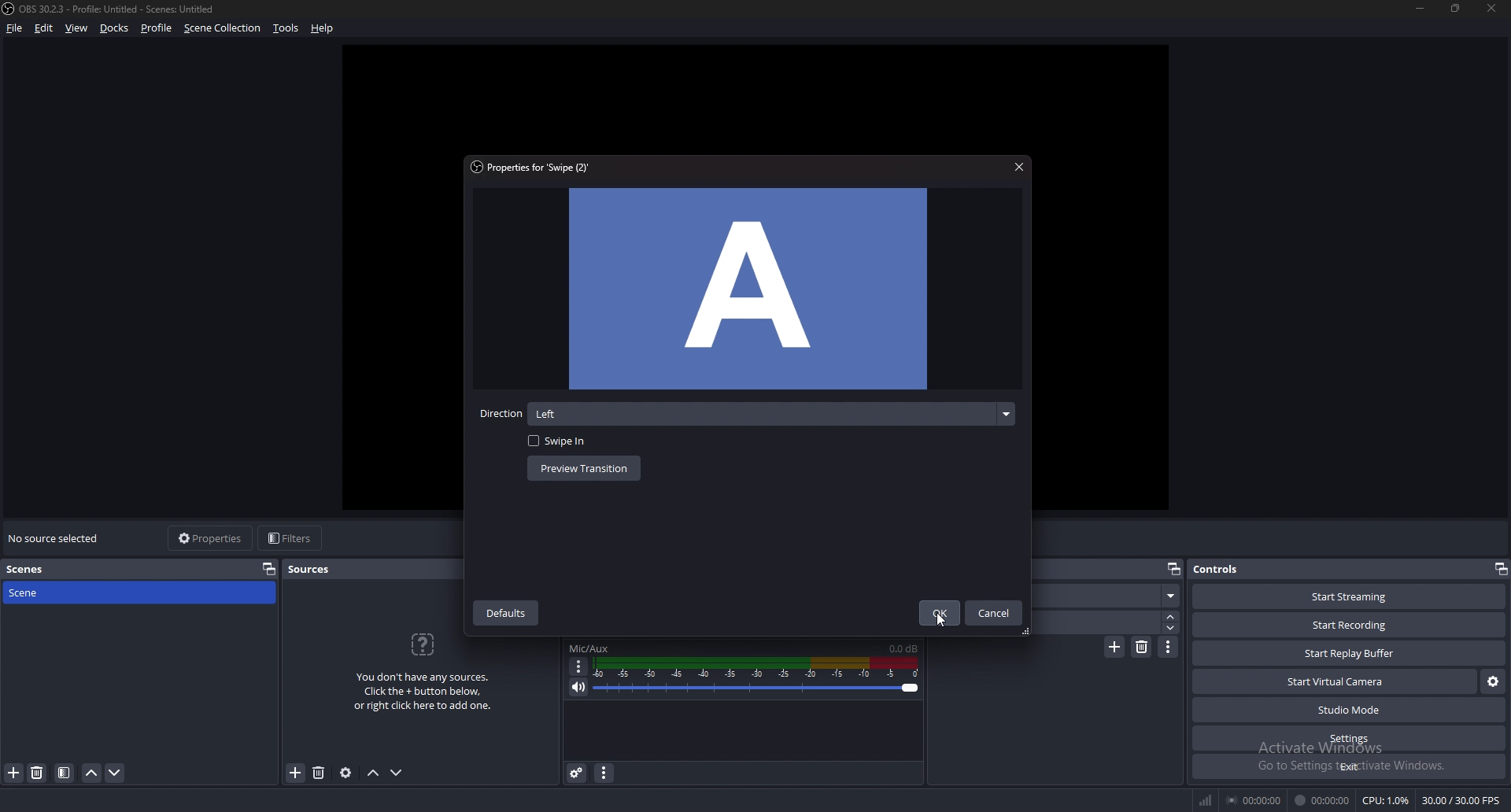 The image size is (1511, 812). What do you see at coordinates (13, 773) in the screenshot?
I see `add scene` at bounding box center [13, 773].